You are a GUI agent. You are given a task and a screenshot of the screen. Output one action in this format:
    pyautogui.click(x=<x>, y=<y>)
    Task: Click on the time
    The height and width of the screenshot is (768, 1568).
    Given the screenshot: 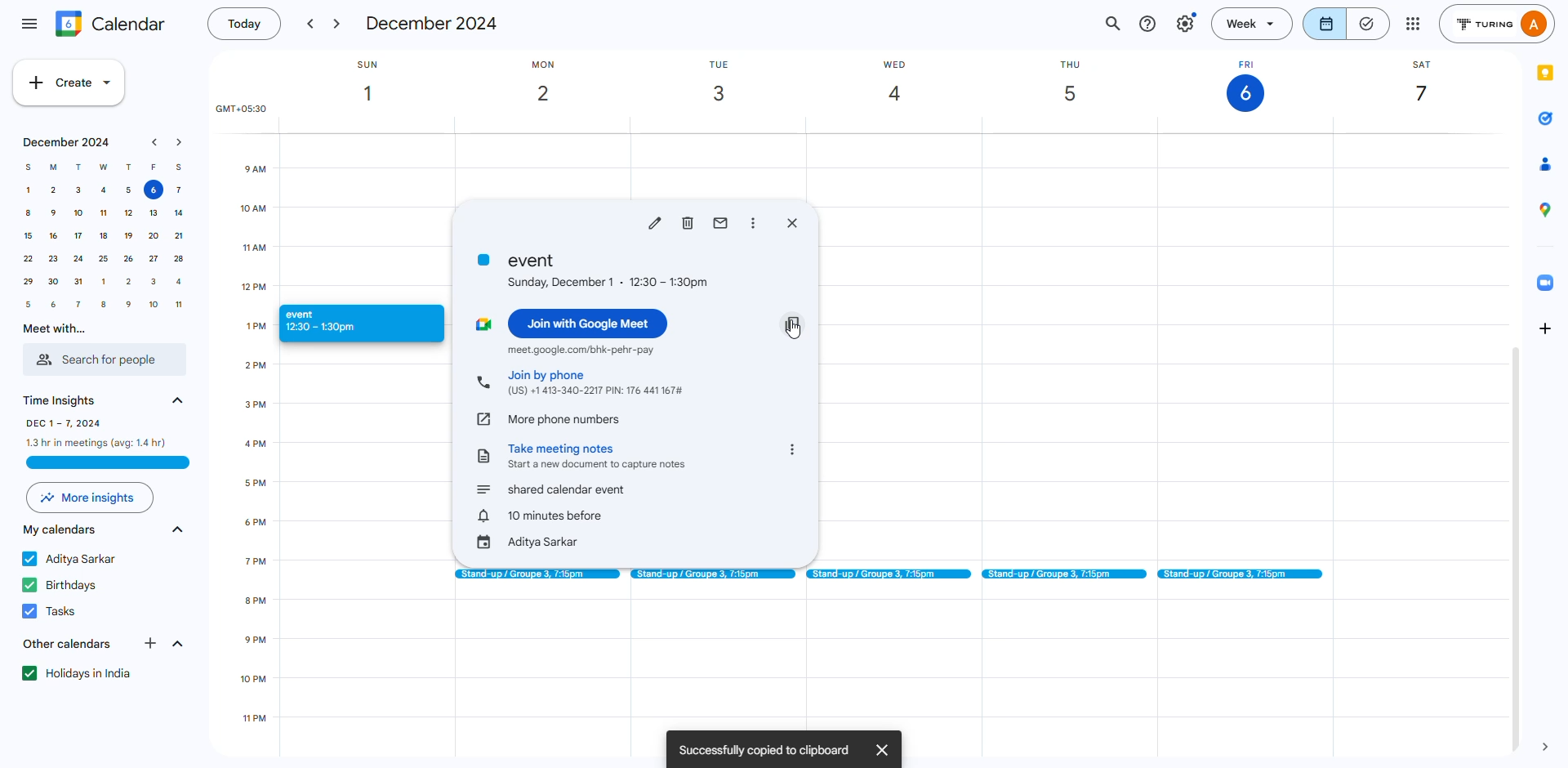 What is the action you would take?
    pyautogui.click(x=247, y=250)
    